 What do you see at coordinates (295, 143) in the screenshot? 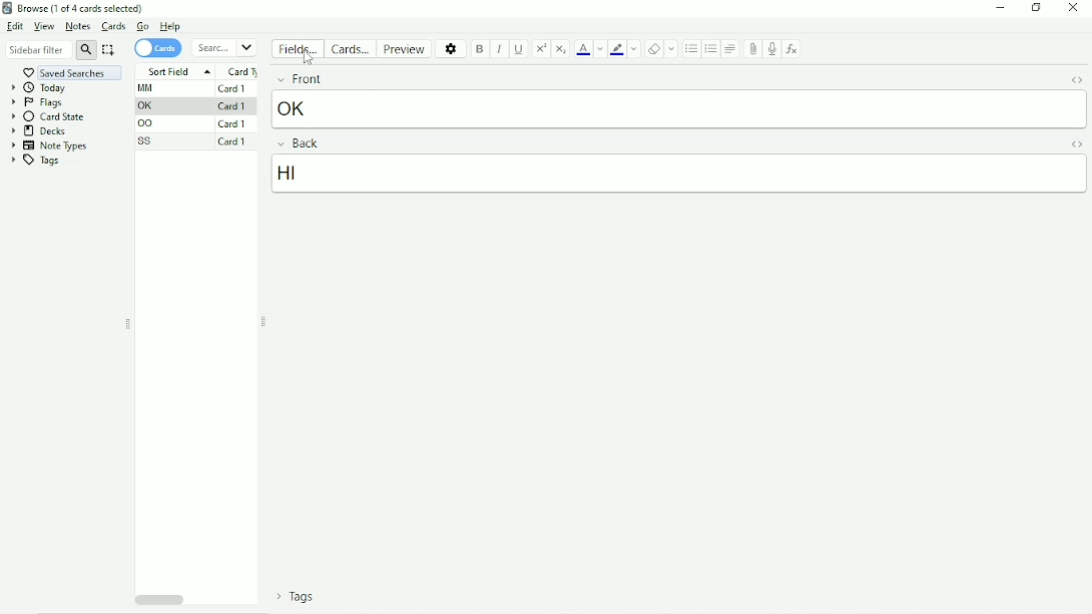
I see `Back` at bounding box center [295, 143].